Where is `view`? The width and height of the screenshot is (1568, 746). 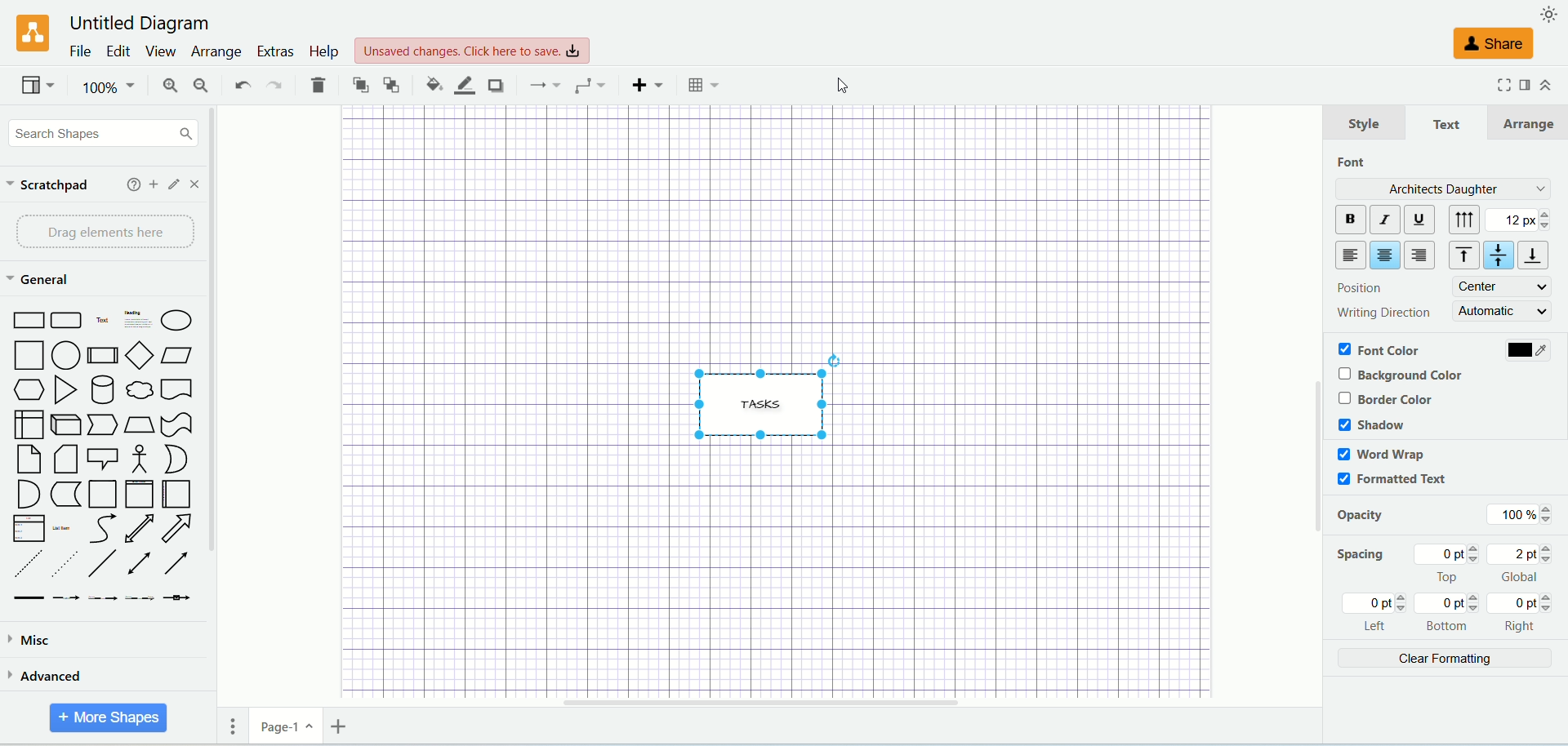 view is located at coordinates (36, 85).